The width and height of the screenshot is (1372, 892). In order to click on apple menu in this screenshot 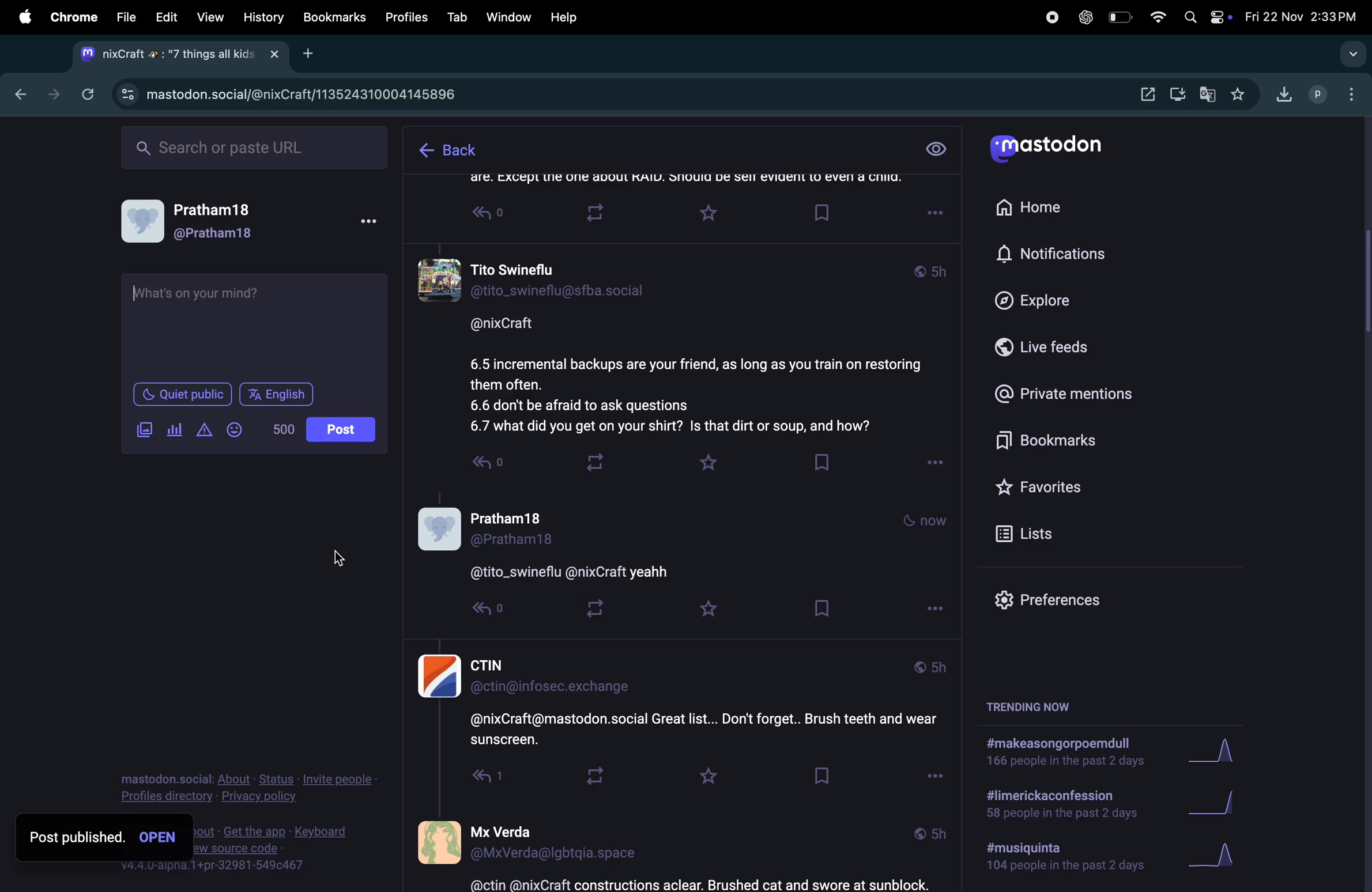, I will do `click(20, 17)`.